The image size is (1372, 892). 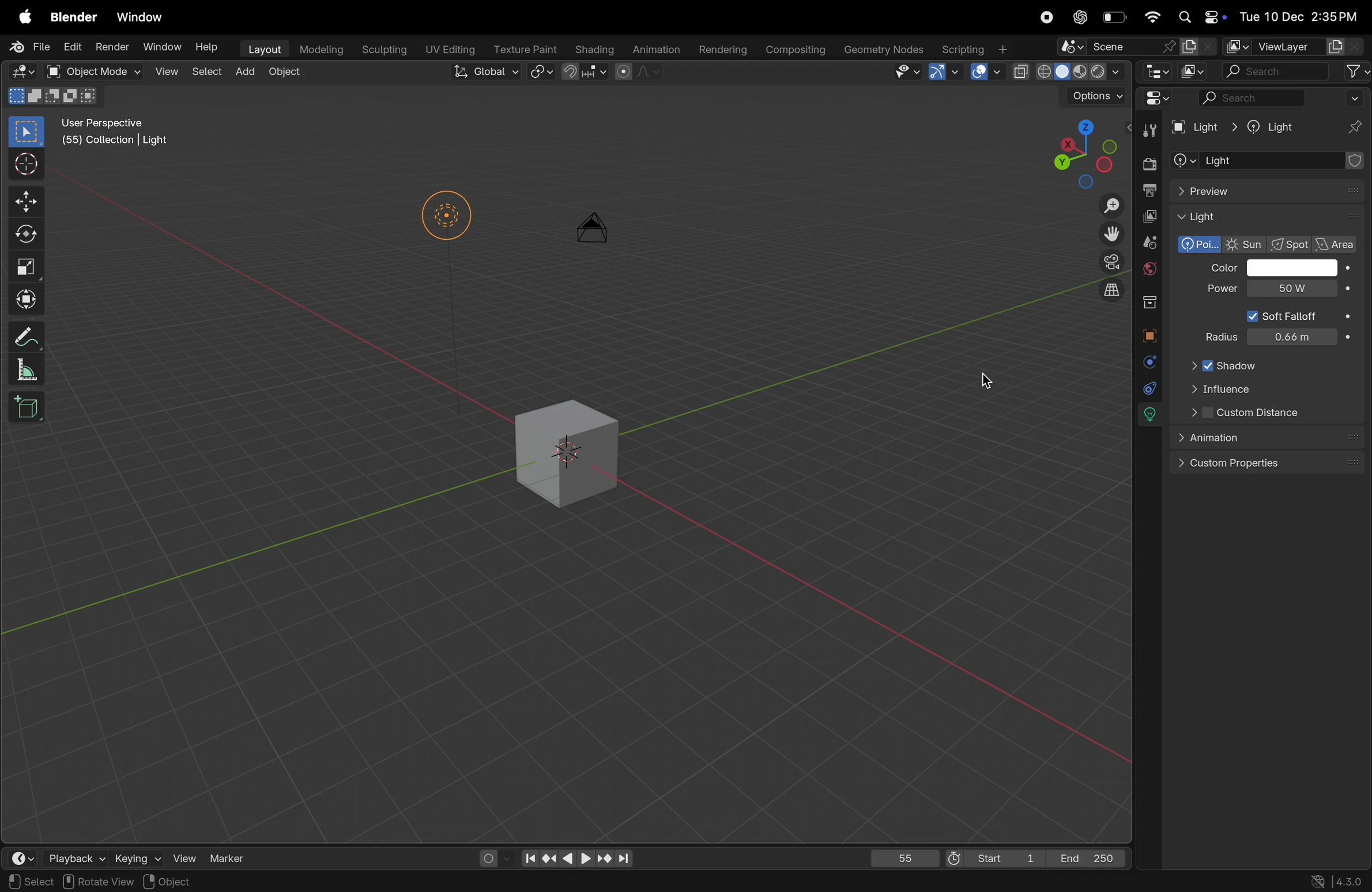 What do you see at coordinates (1246, 245) in the screenshot?
I see `Sun` at bounding box center [1246, 245].